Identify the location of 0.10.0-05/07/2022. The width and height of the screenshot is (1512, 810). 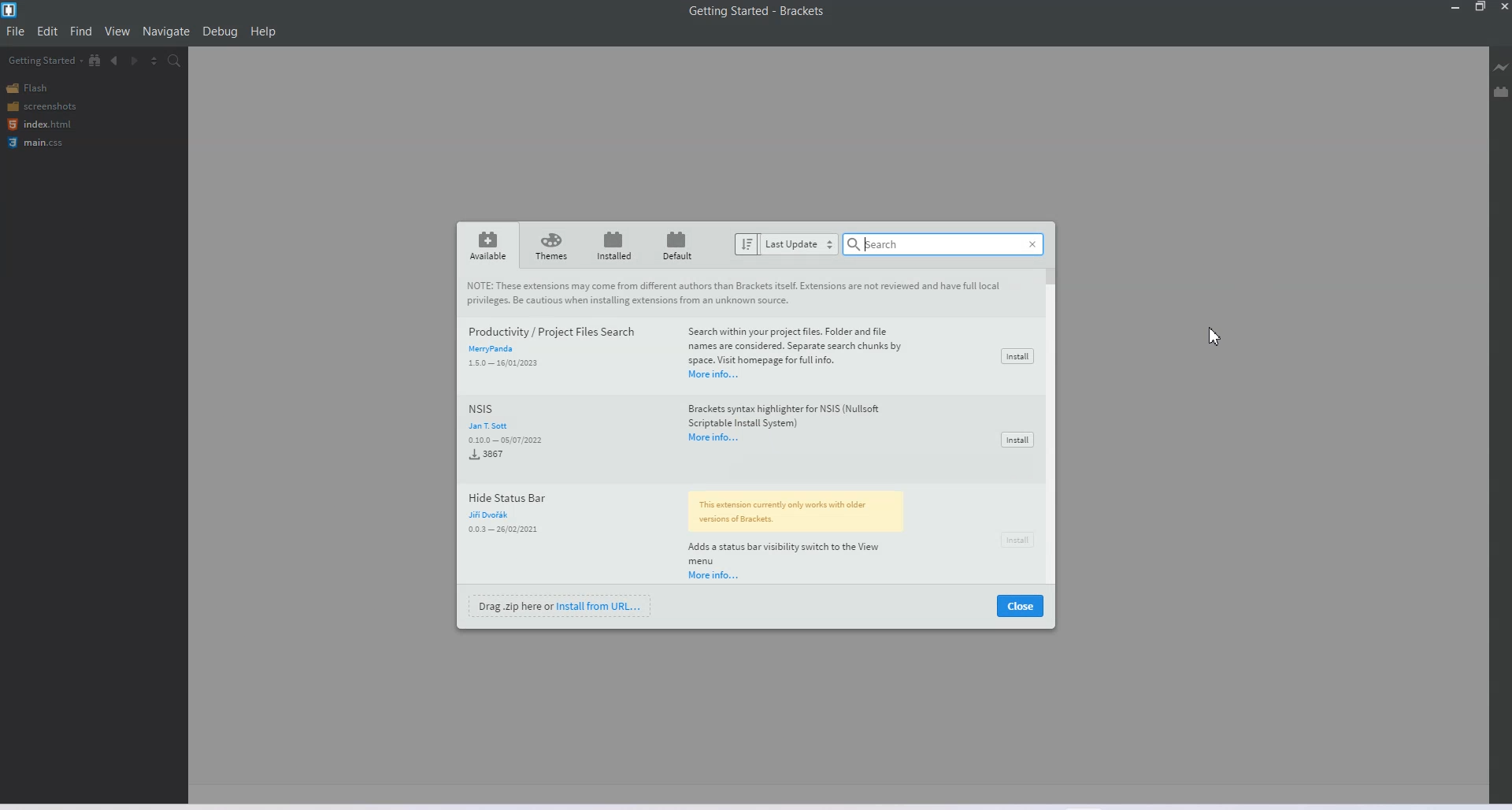
(503, 439).